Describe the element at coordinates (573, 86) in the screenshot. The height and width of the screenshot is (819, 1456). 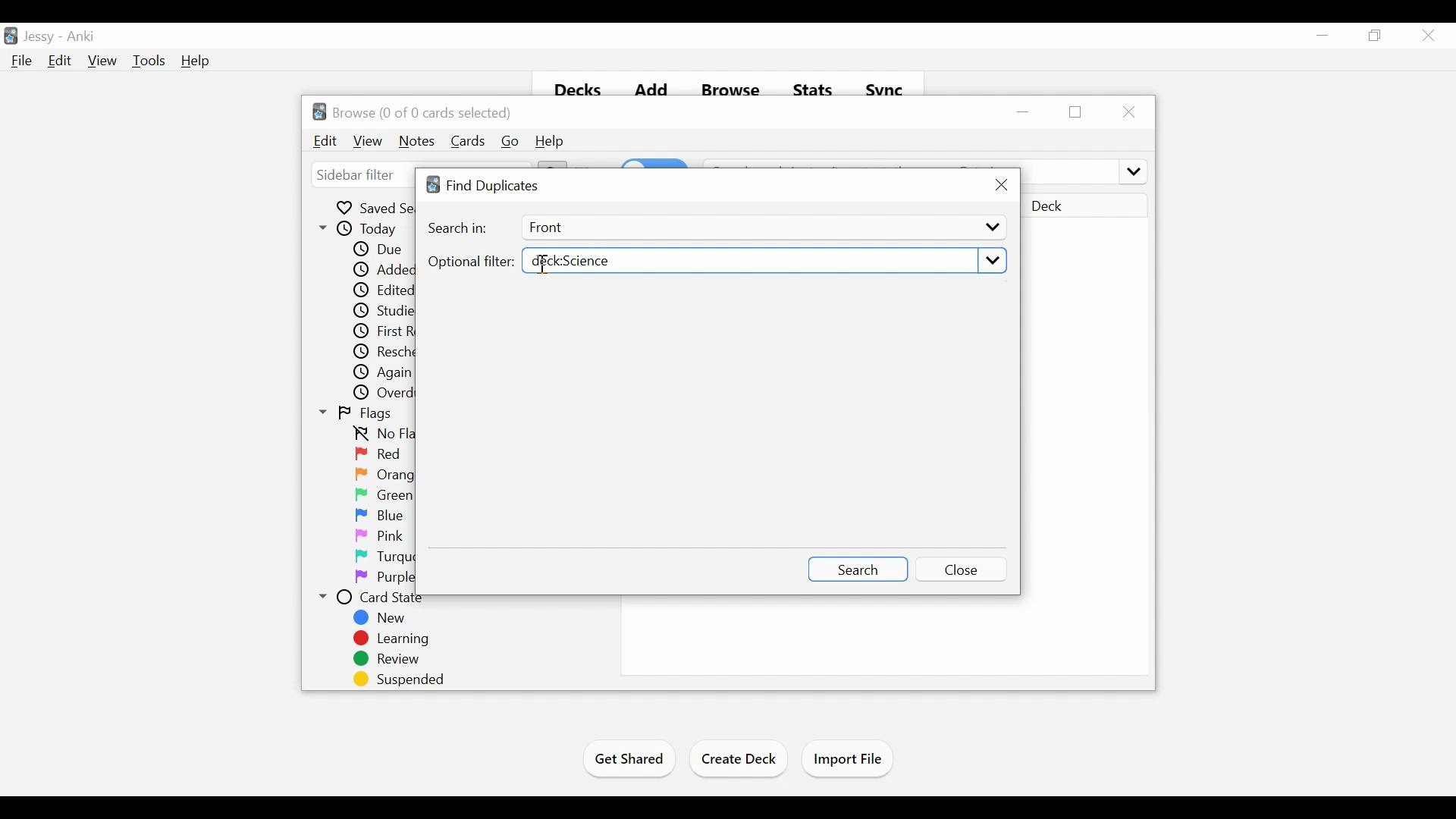
I see `Decks` at that location.